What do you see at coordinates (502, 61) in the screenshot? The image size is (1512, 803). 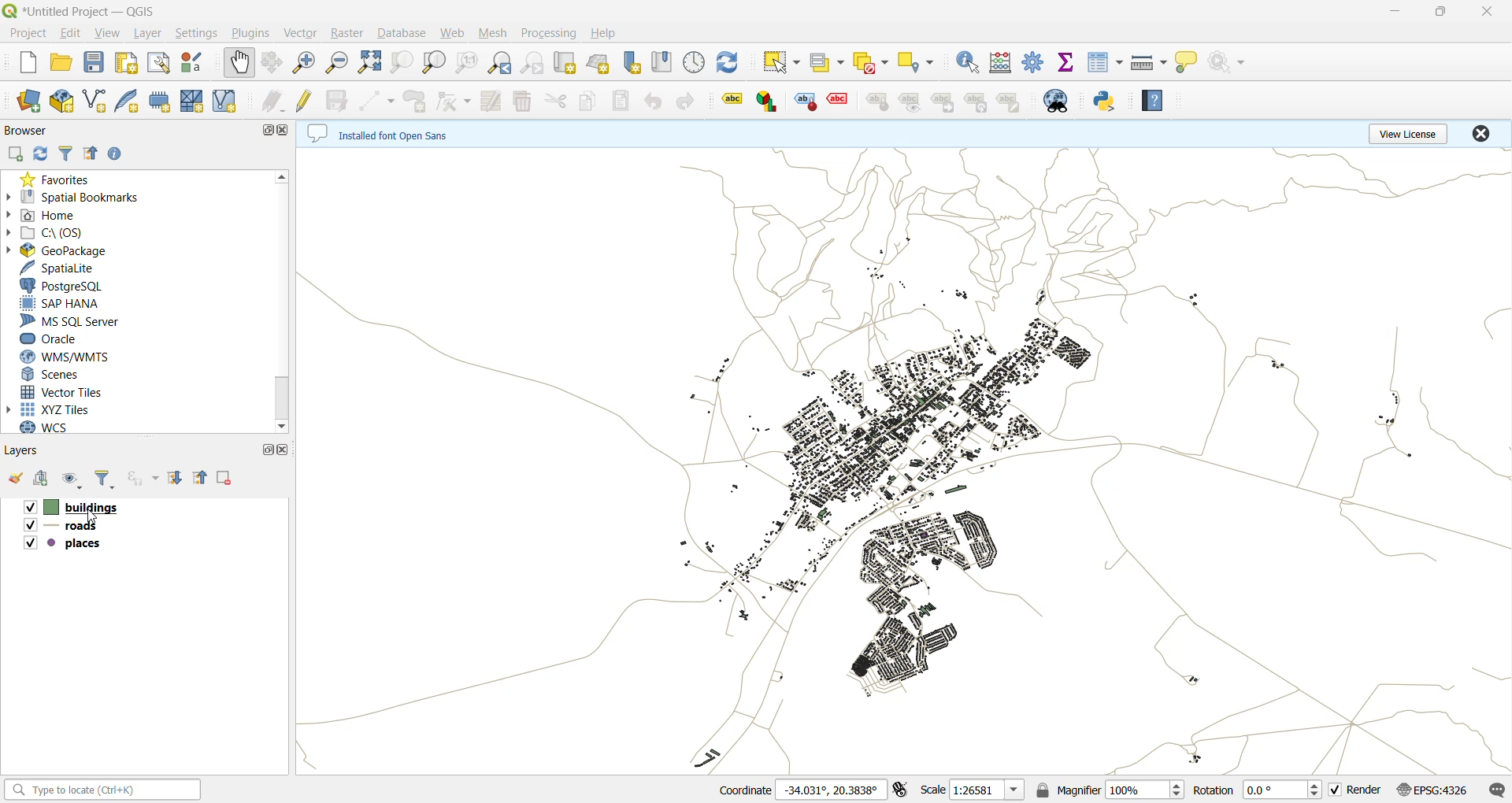 I see `zoom last` at bounding box center [502, 61].